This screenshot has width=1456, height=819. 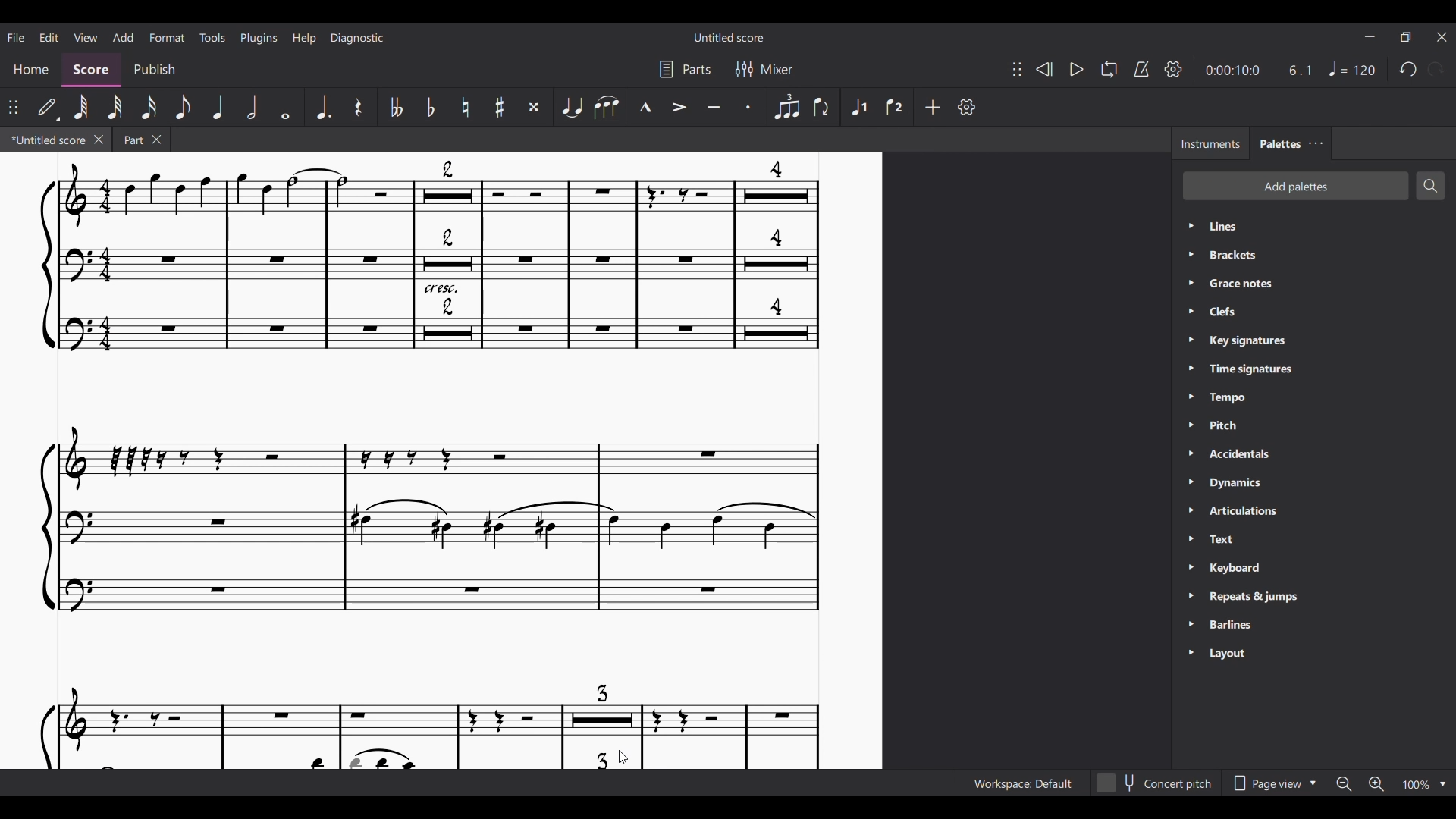 I want to click on Palettes, current tab, so click(x=1279, y=143).